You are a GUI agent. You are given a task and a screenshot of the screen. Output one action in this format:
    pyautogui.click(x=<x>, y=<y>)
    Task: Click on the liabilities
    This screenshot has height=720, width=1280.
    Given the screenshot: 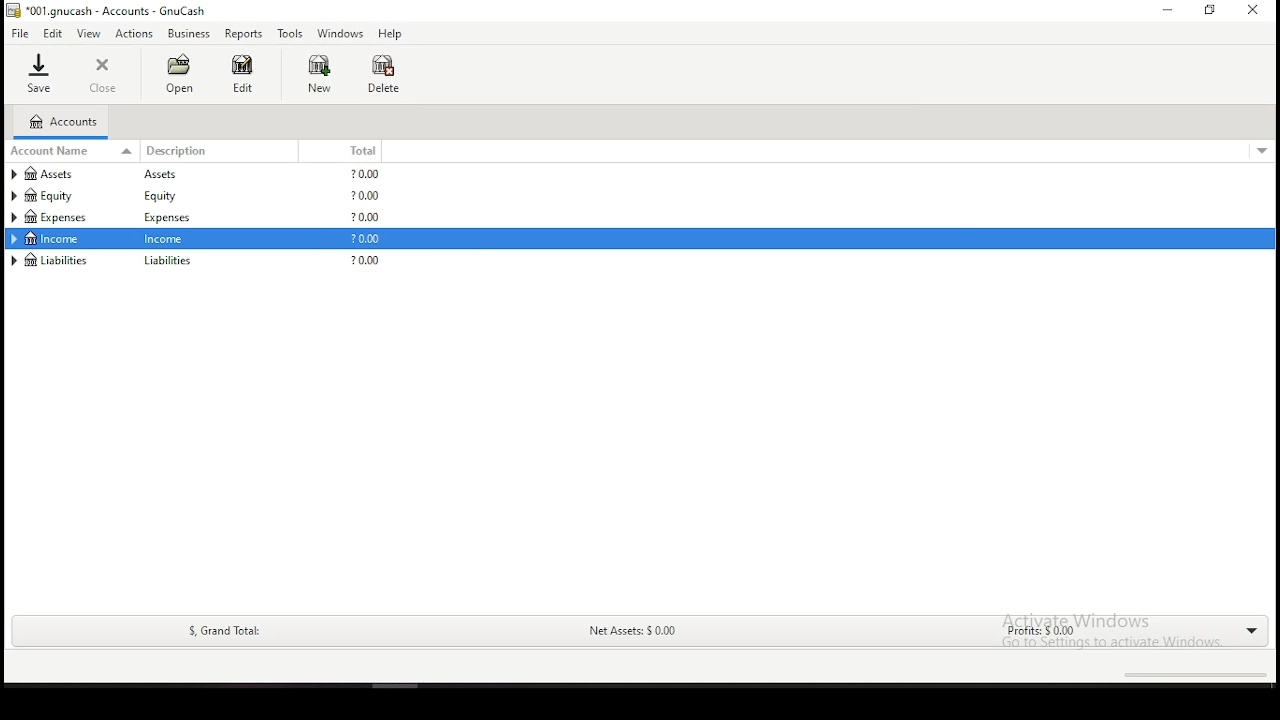 What is the action you would take?
    pyautogui.click(x=52, y=260)
    